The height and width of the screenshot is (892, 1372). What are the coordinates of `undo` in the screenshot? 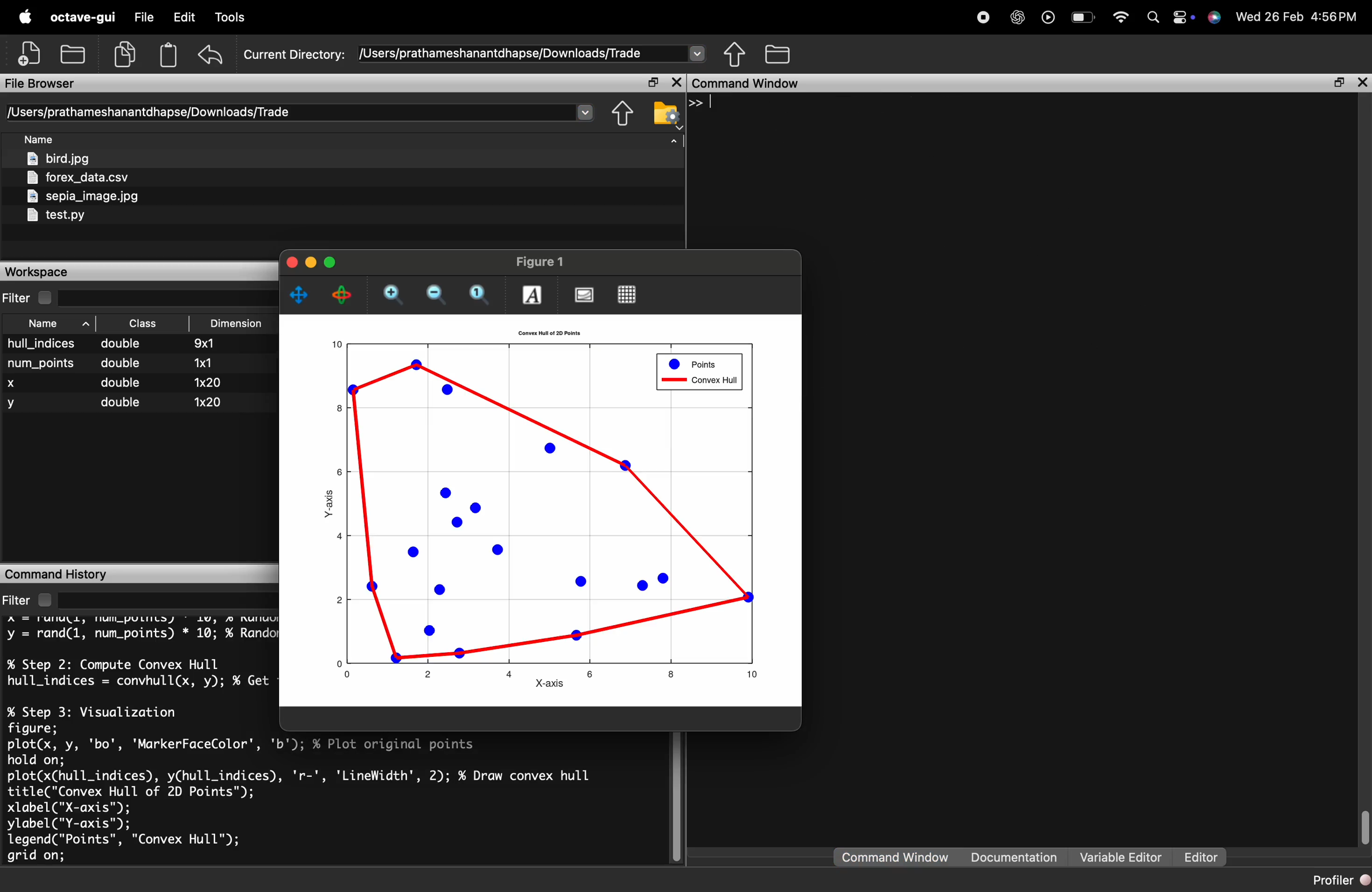 It's located at (212, 55).